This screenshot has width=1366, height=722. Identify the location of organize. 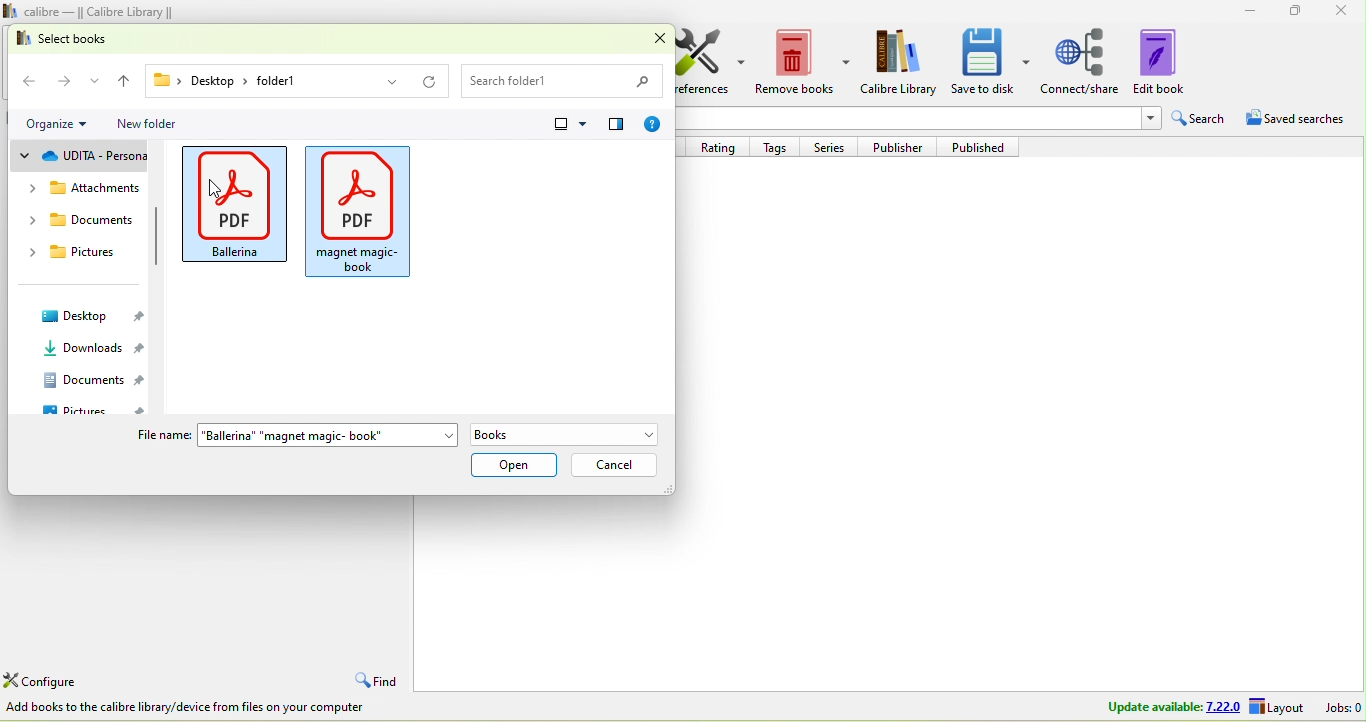
(63, 125).